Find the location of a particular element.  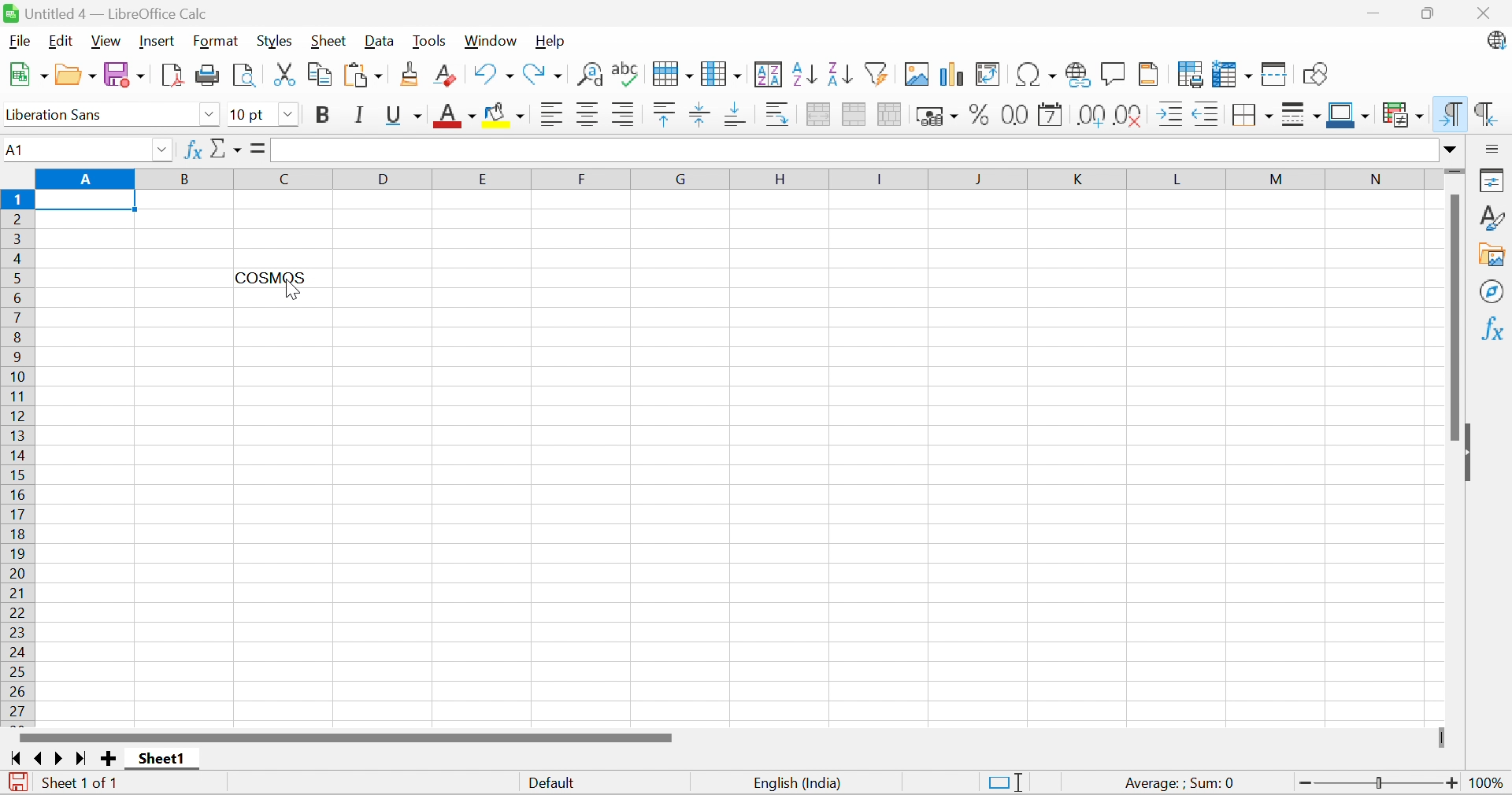

Edit is located at coordinates (61, 41).